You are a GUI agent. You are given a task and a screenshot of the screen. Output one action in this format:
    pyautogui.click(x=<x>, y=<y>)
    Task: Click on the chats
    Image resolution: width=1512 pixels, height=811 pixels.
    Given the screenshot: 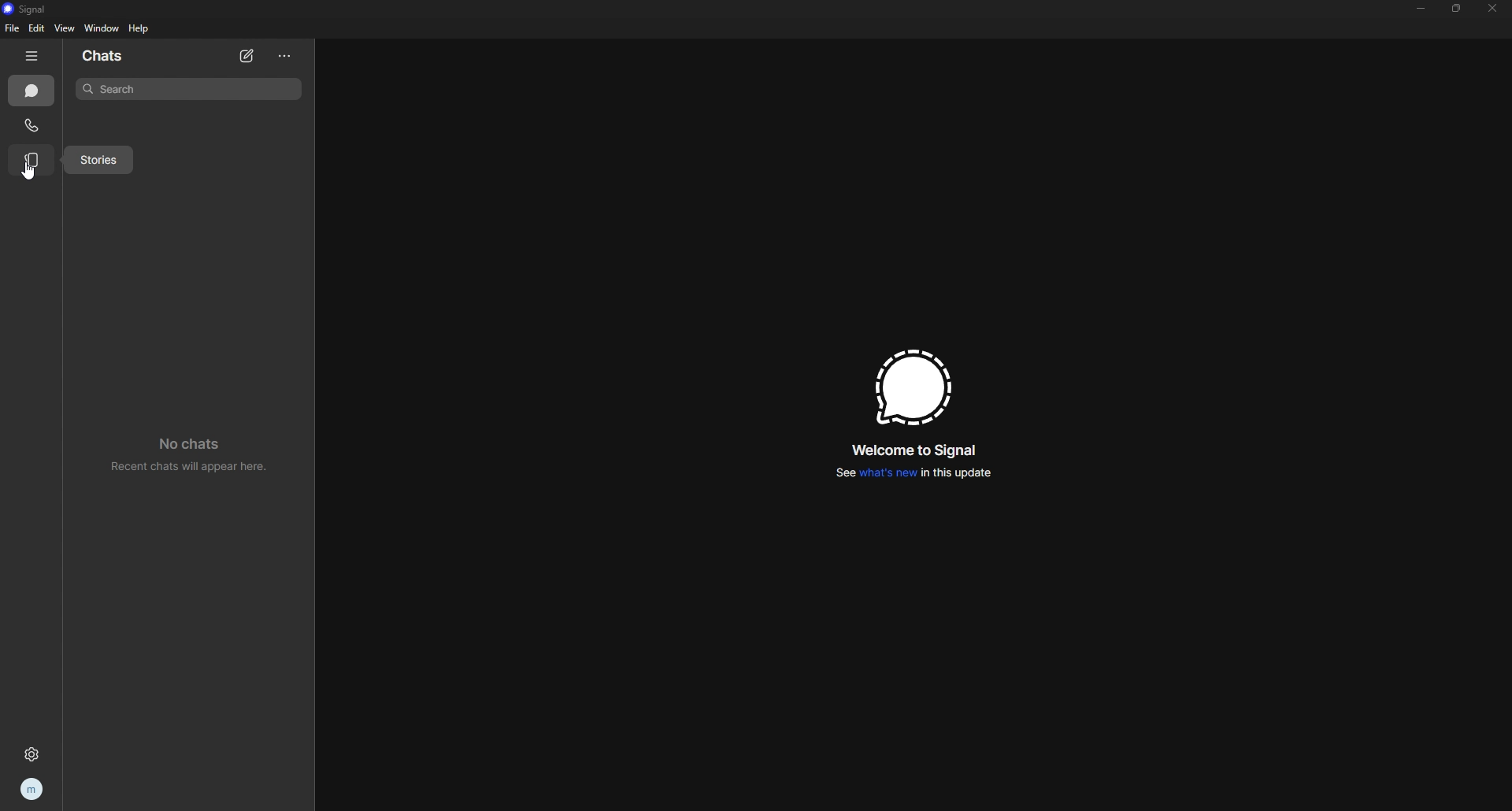 What is the action you would take?
    pyautogui.click(x=33, y=91)
    